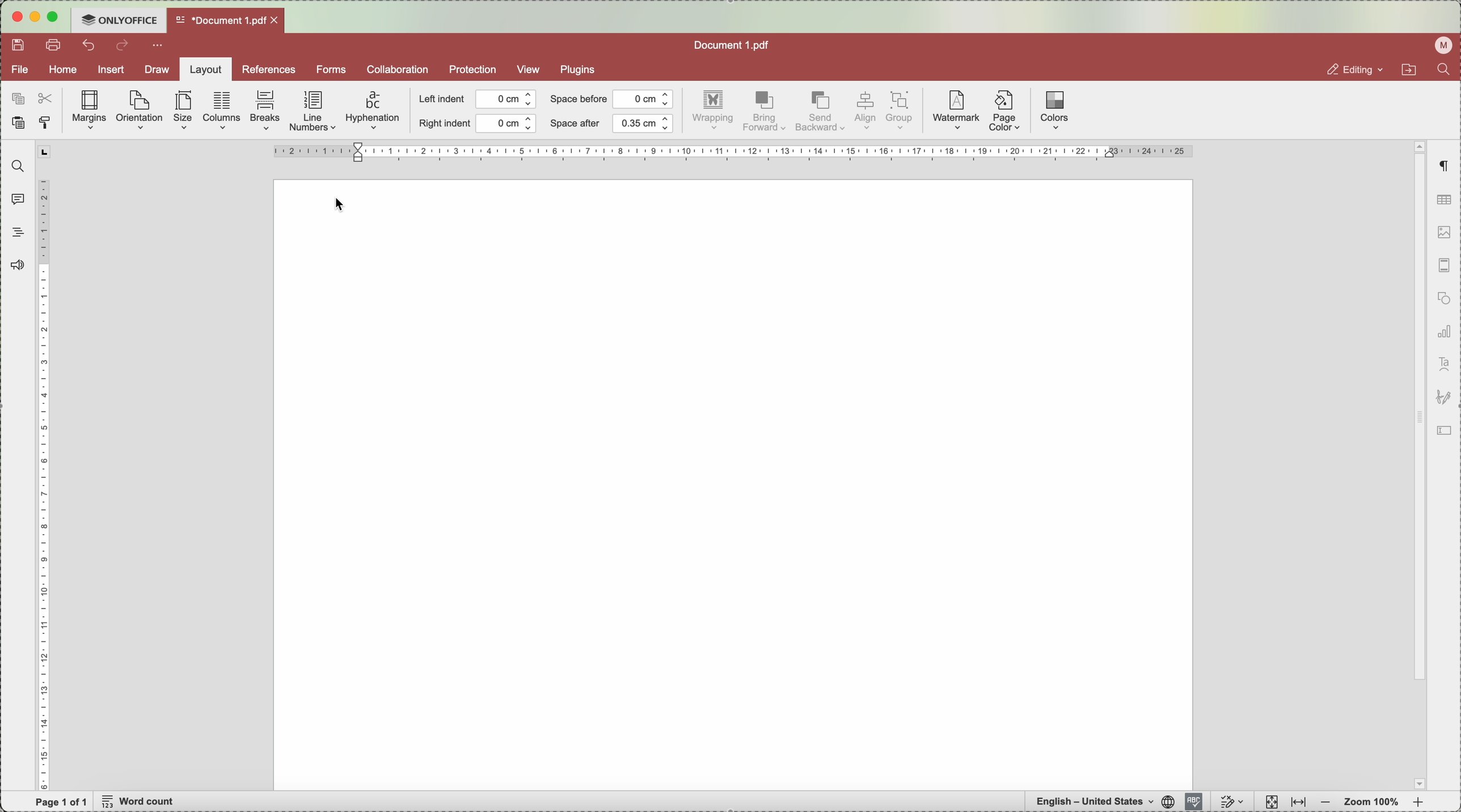 The width and height of the screenshot is (1461, 812). What do you see at coordinates (734, 44) in the screenshot?
I see `file name` at bounding box center [734, 44].